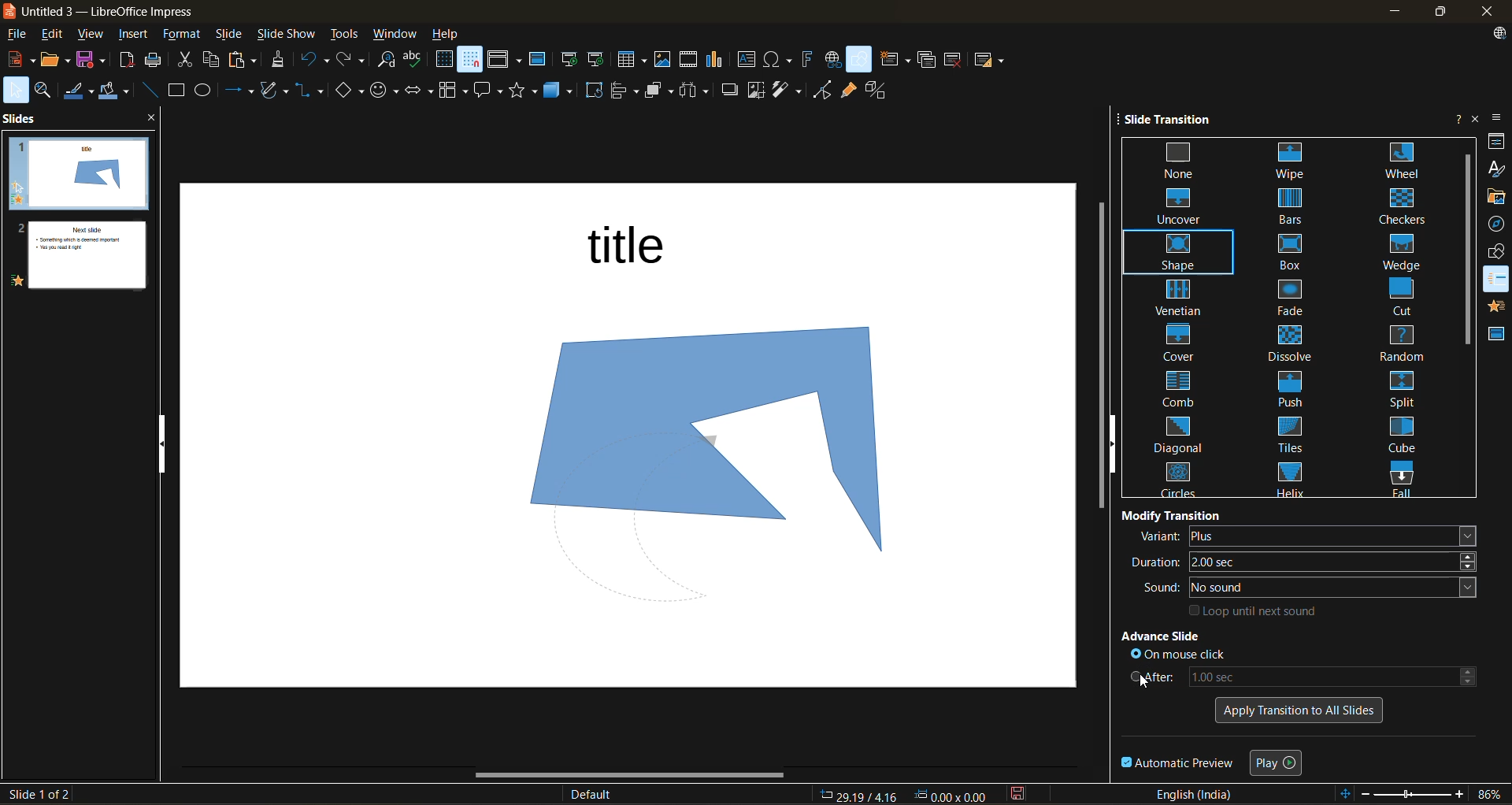 Image resolution: width=1512 pixels, height=805 pixels. I want to click on insert, so click(140, 35).